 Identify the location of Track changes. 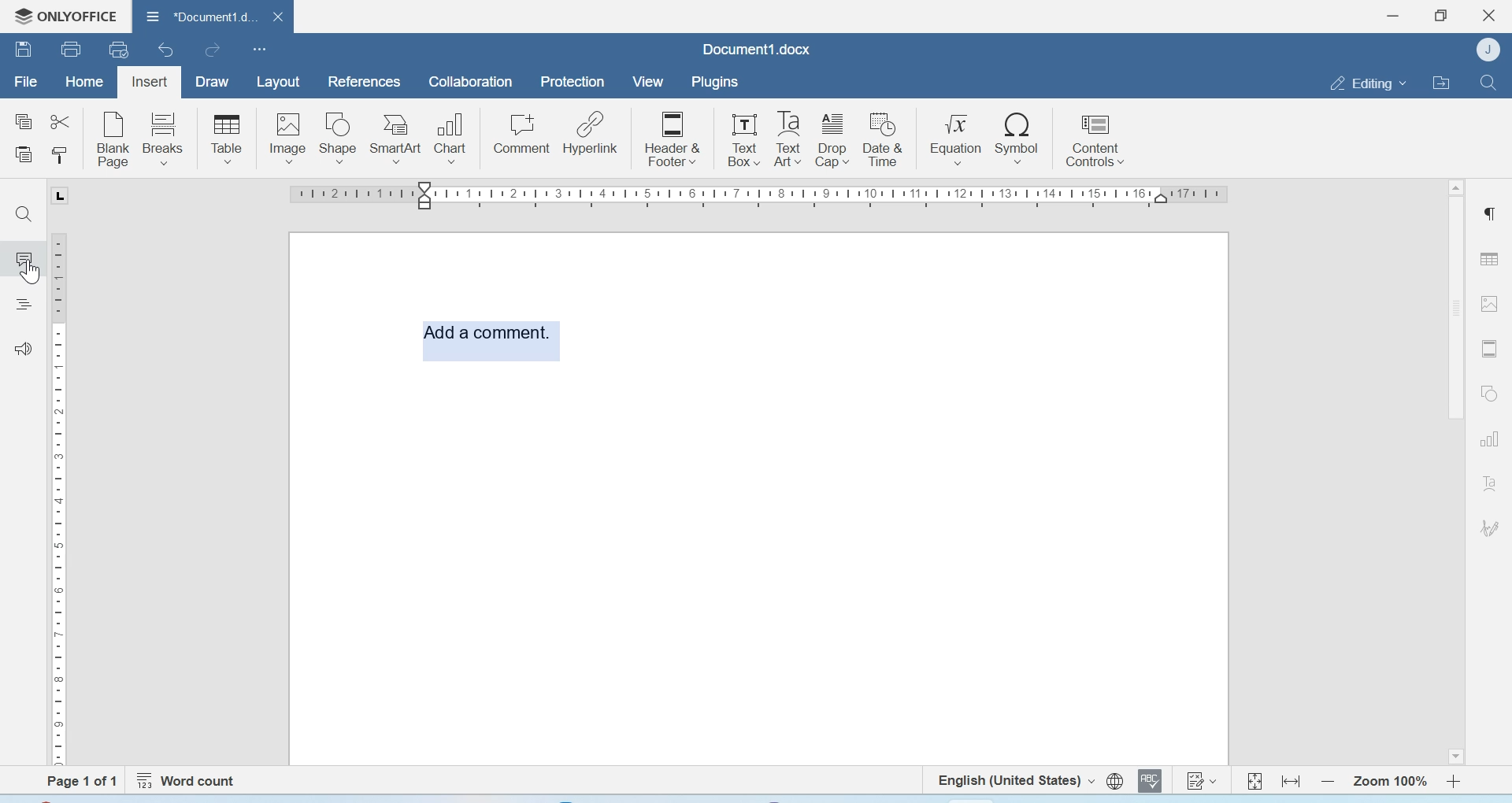
(1200, 780).